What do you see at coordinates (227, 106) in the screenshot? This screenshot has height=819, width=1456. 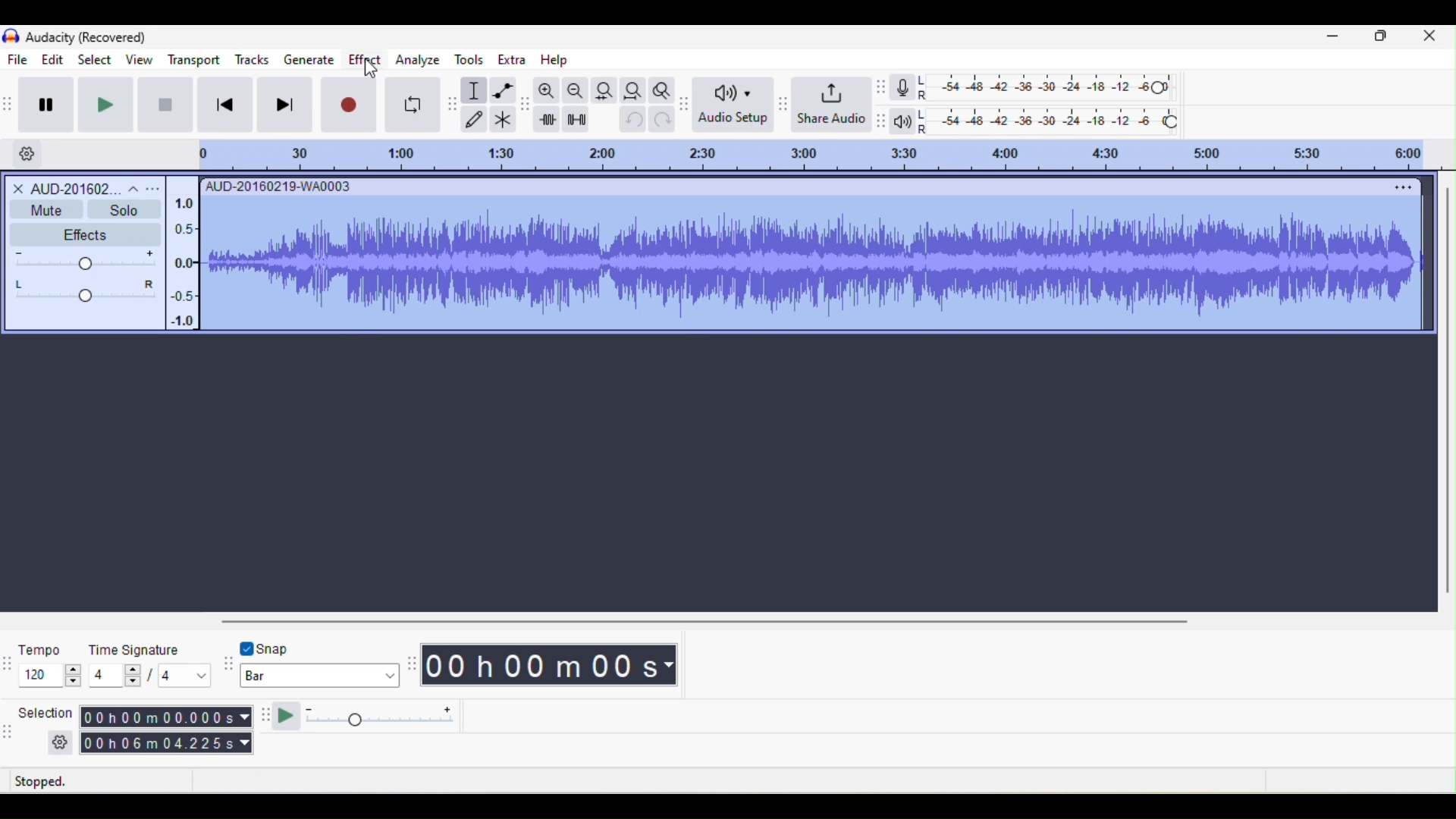 I see `skip to start` at bounding box center [227, 106].